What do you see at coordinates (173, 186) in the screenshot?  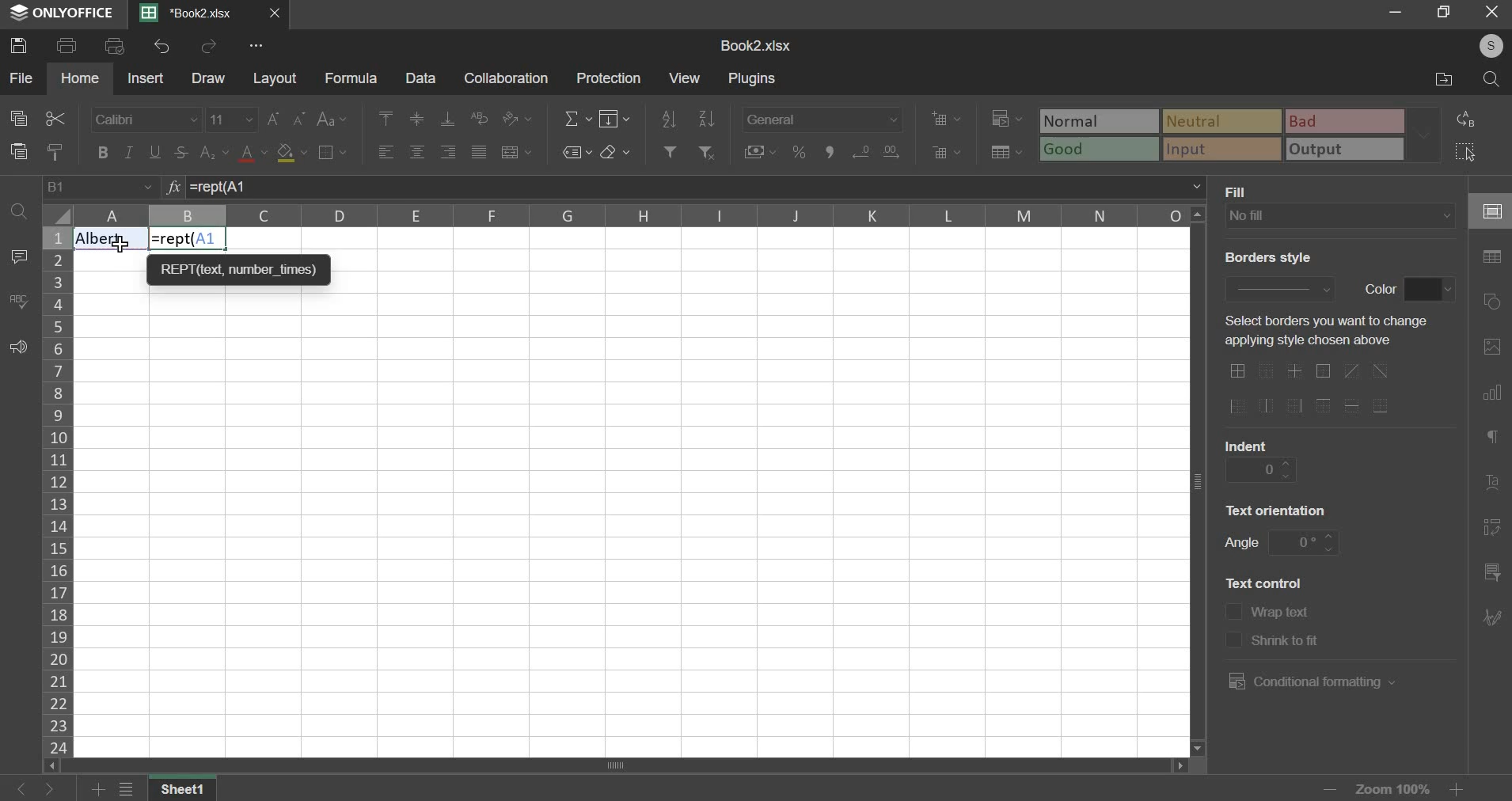 I see `function` at bounding box center [173, 186].